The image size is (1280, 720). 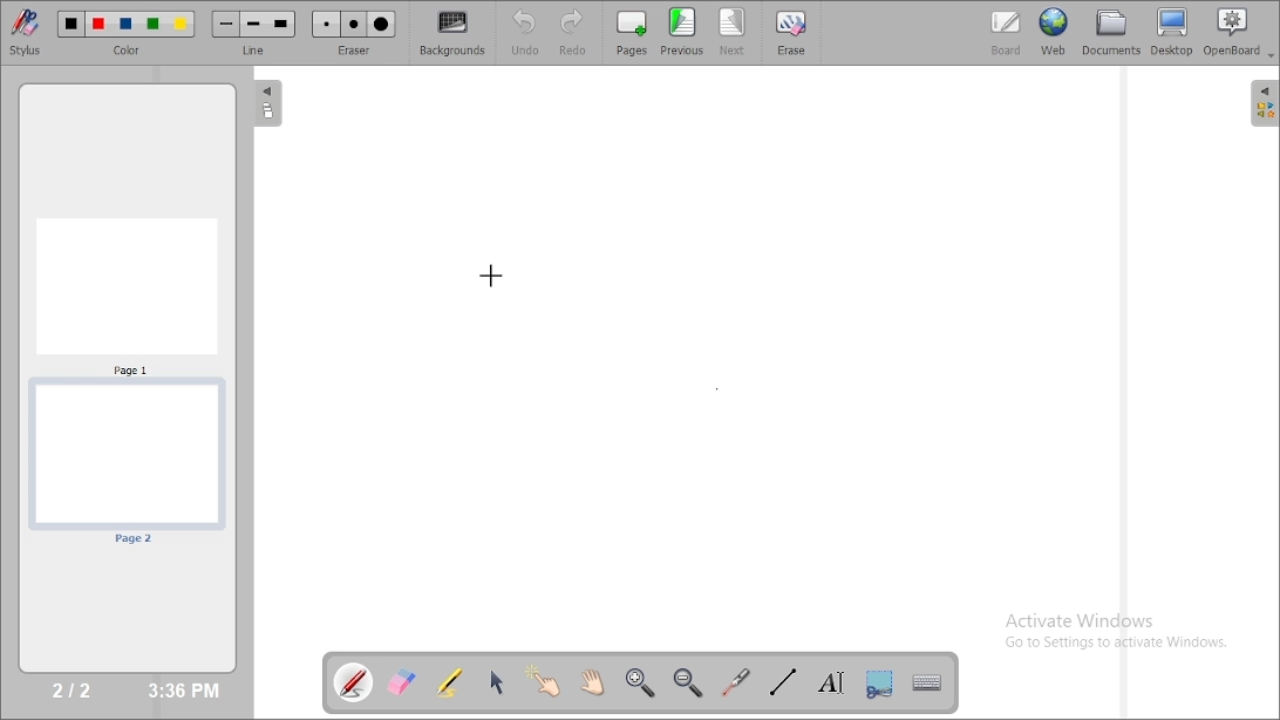 What do you see at coordinates (1054, 31) in the screenshot?
I see `web` at bounding box center [1054, 31].